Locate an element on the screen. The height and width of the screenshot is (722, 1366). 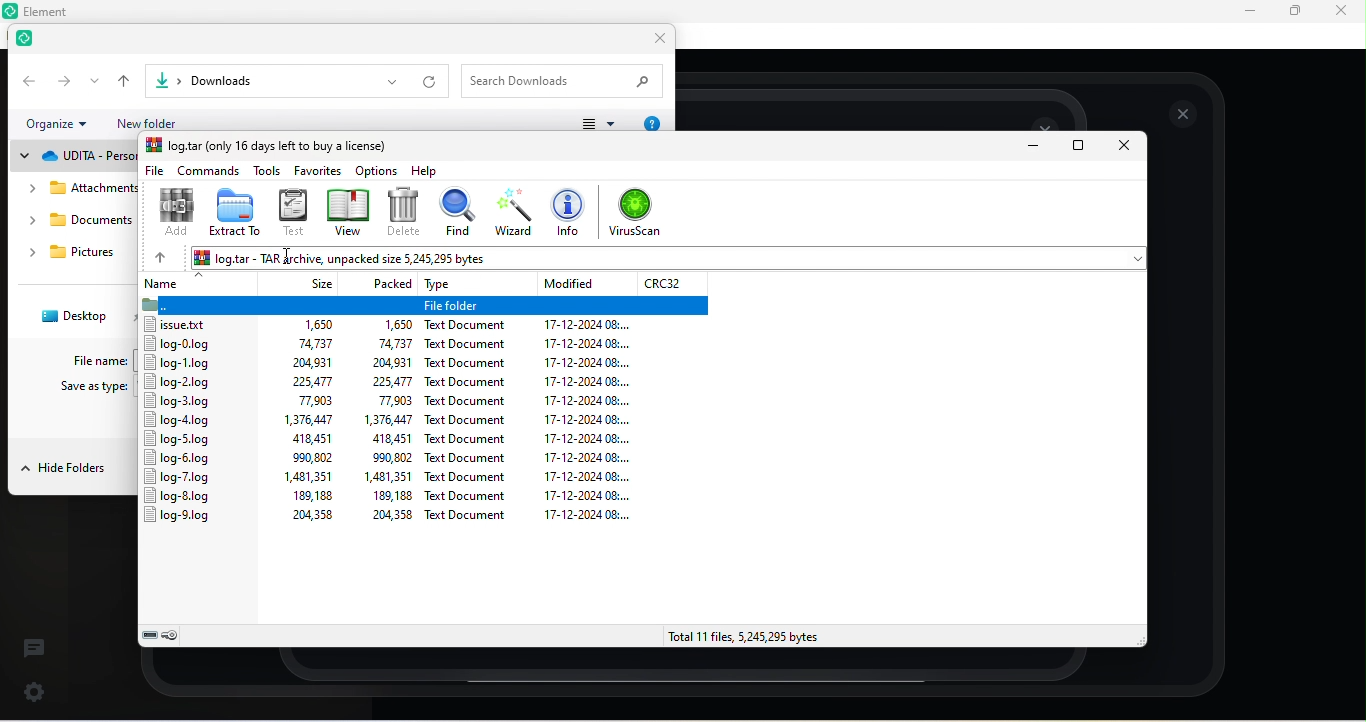
File Folder is located at coordinates (457, 306).